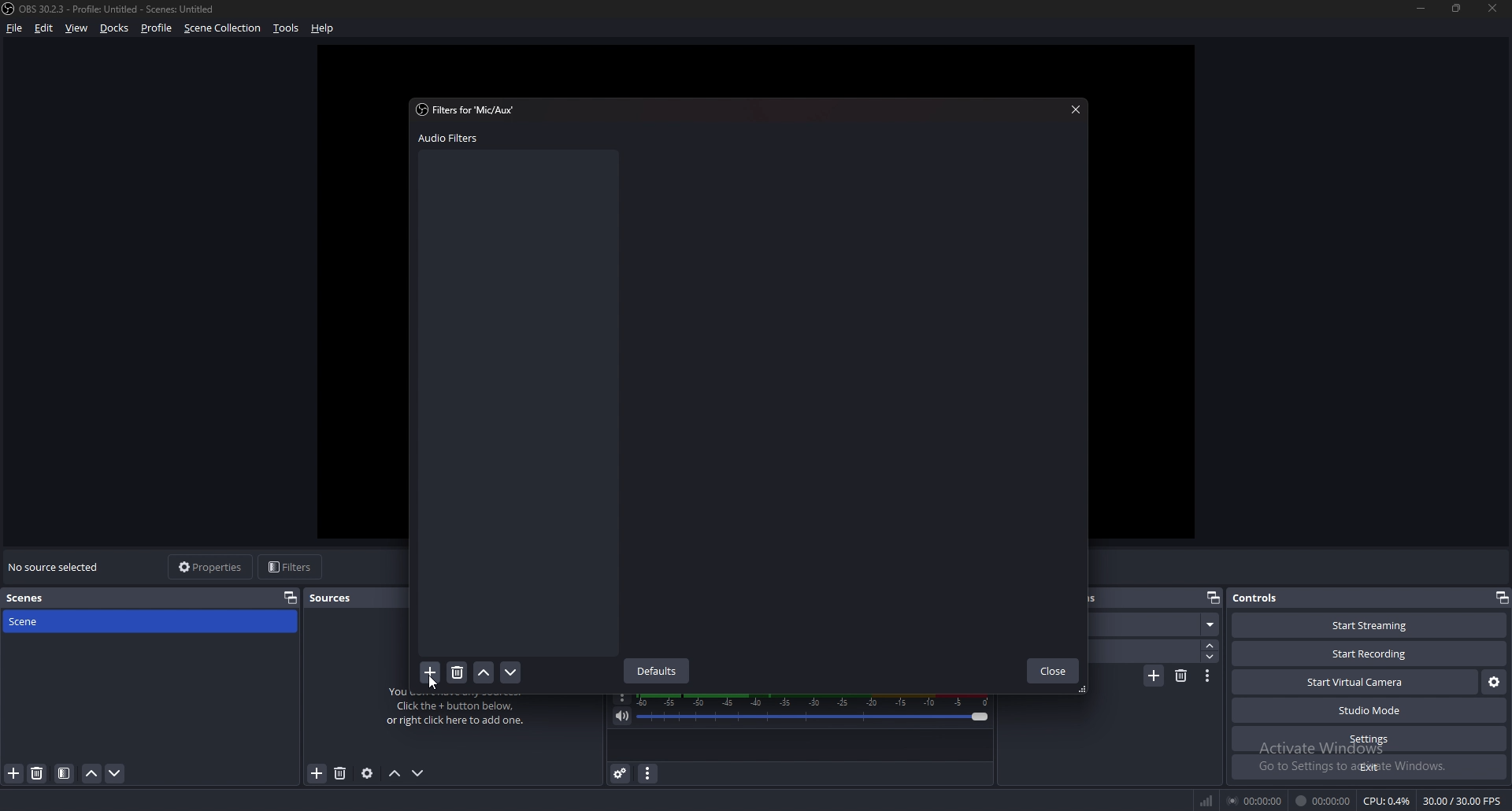 This screenshot has height=811, width=1512. Describe the element at coordinates (44, 28) in the screenshot. I see `edit` at that location.